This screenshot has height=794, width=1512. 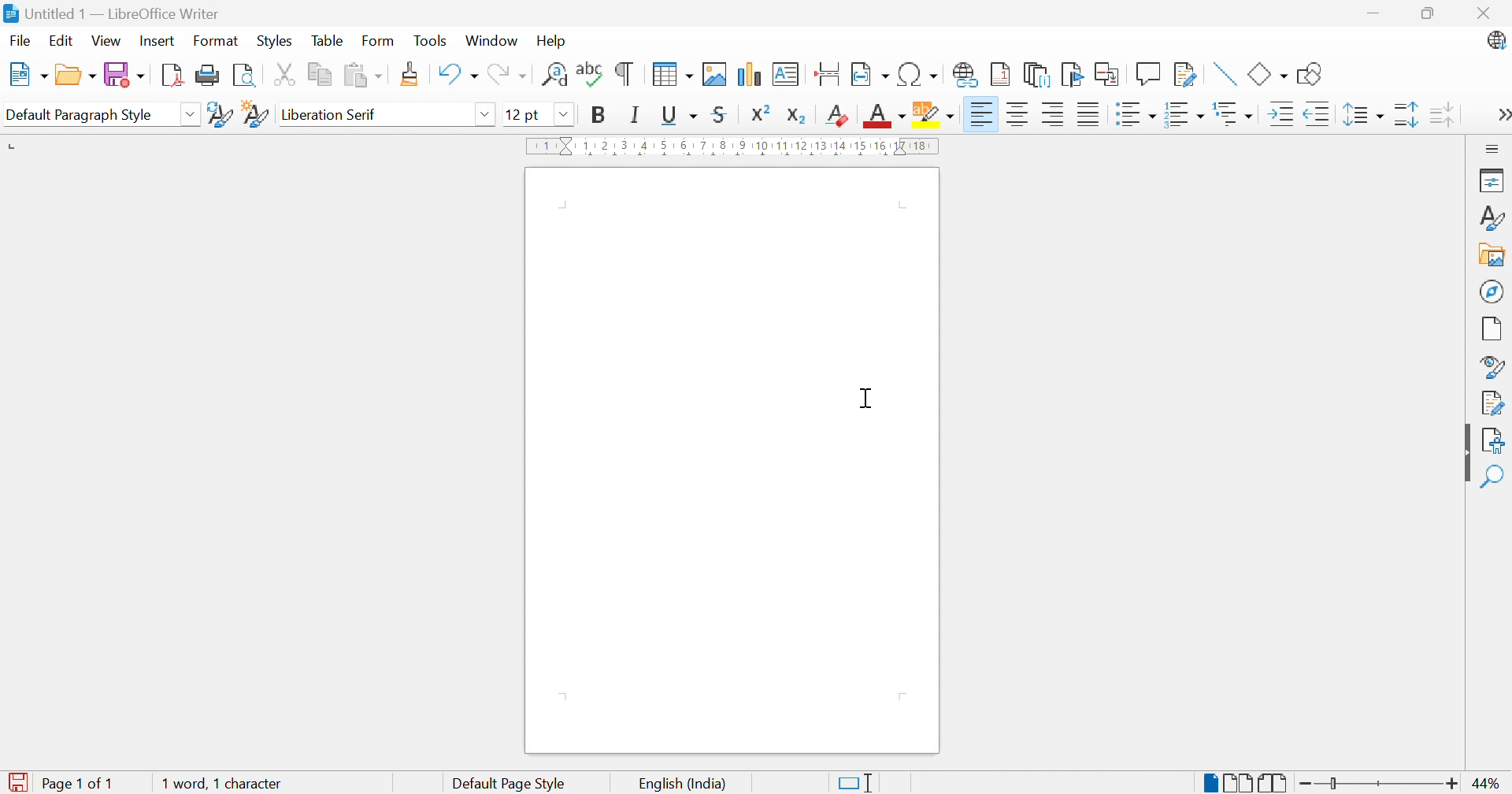 What do you see at coordinates (556, 42) in the screenshot?
I see `Help` at bounding box center [556, 42].